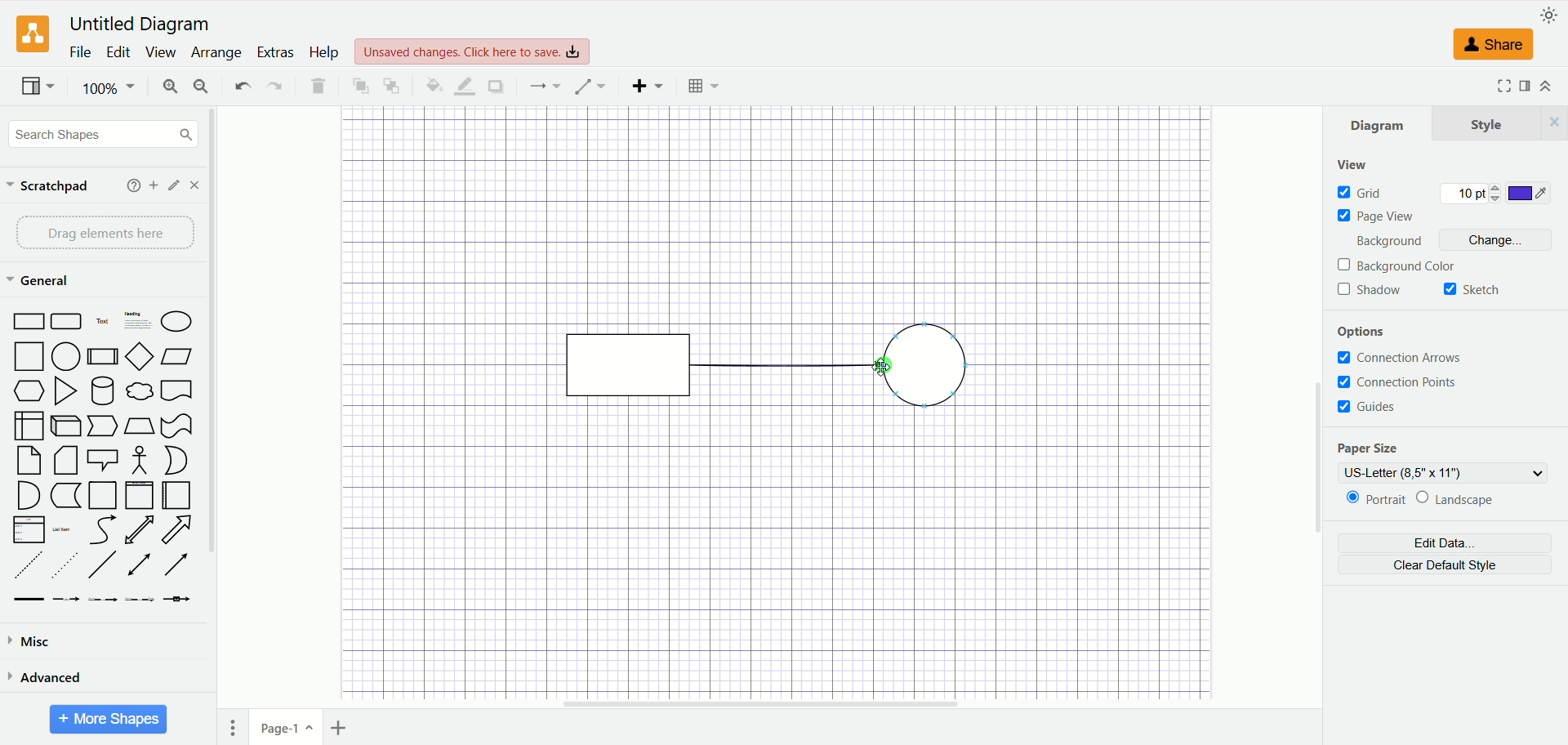 The width and height of the screenshot is (1568, 745). What do you see at coordinates (29, 392) in the screenshot?
I see `Hexagon` at bounding box center [29, 392].